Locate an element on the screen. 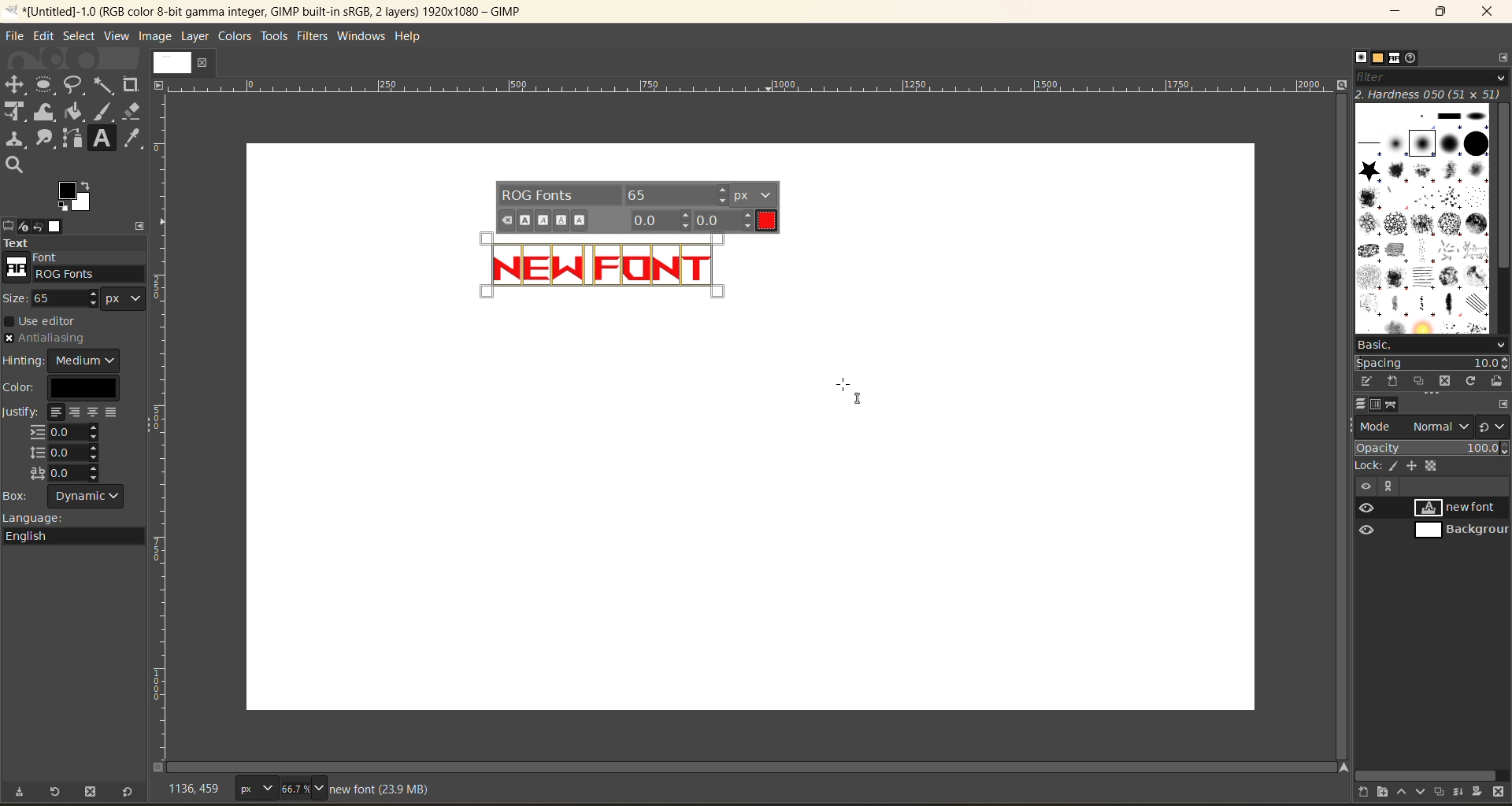 The image size is (1512, 806). current text color is located at coordinates (766, 220).